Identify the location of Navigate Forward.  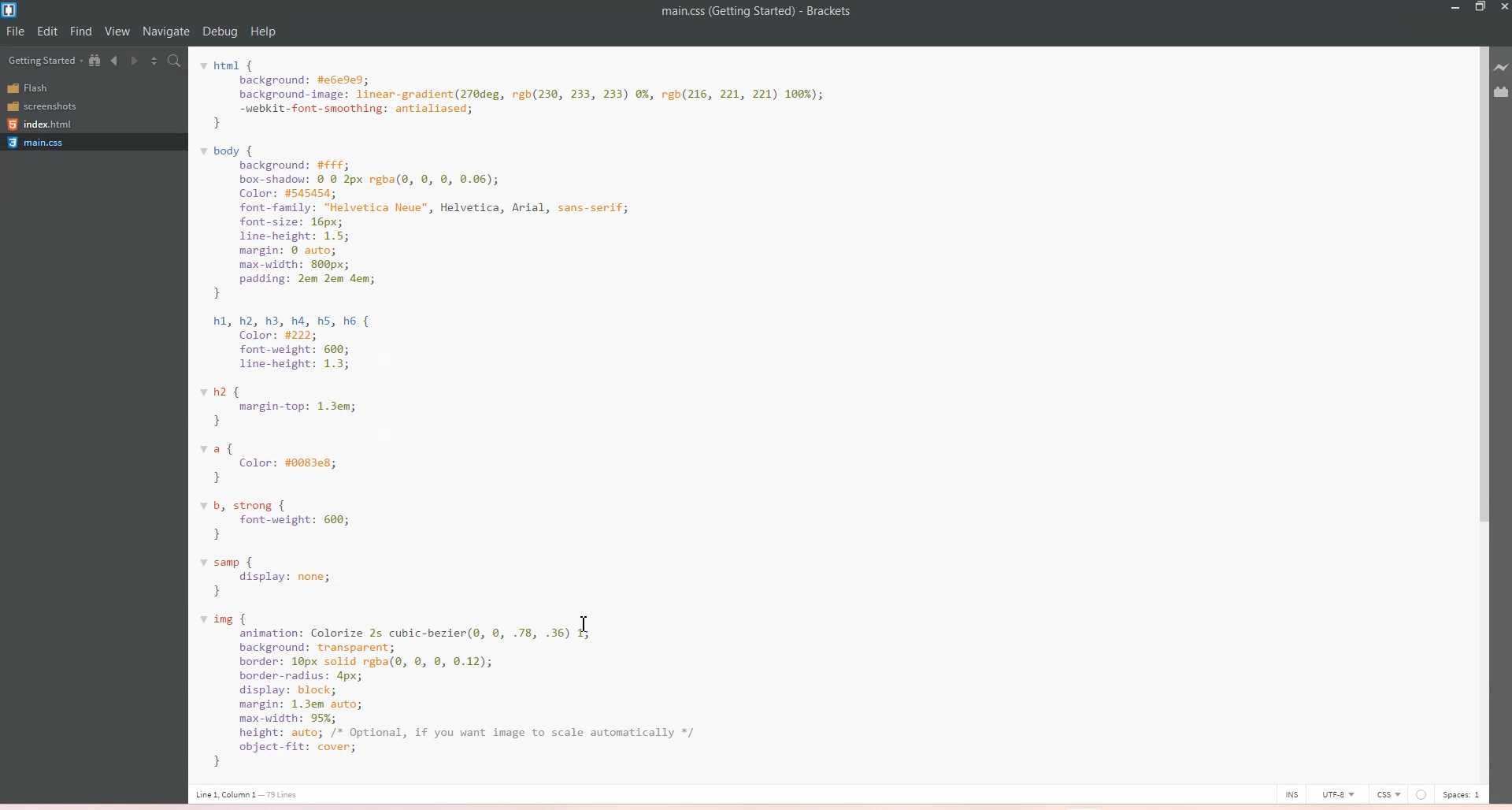
(135, 61).